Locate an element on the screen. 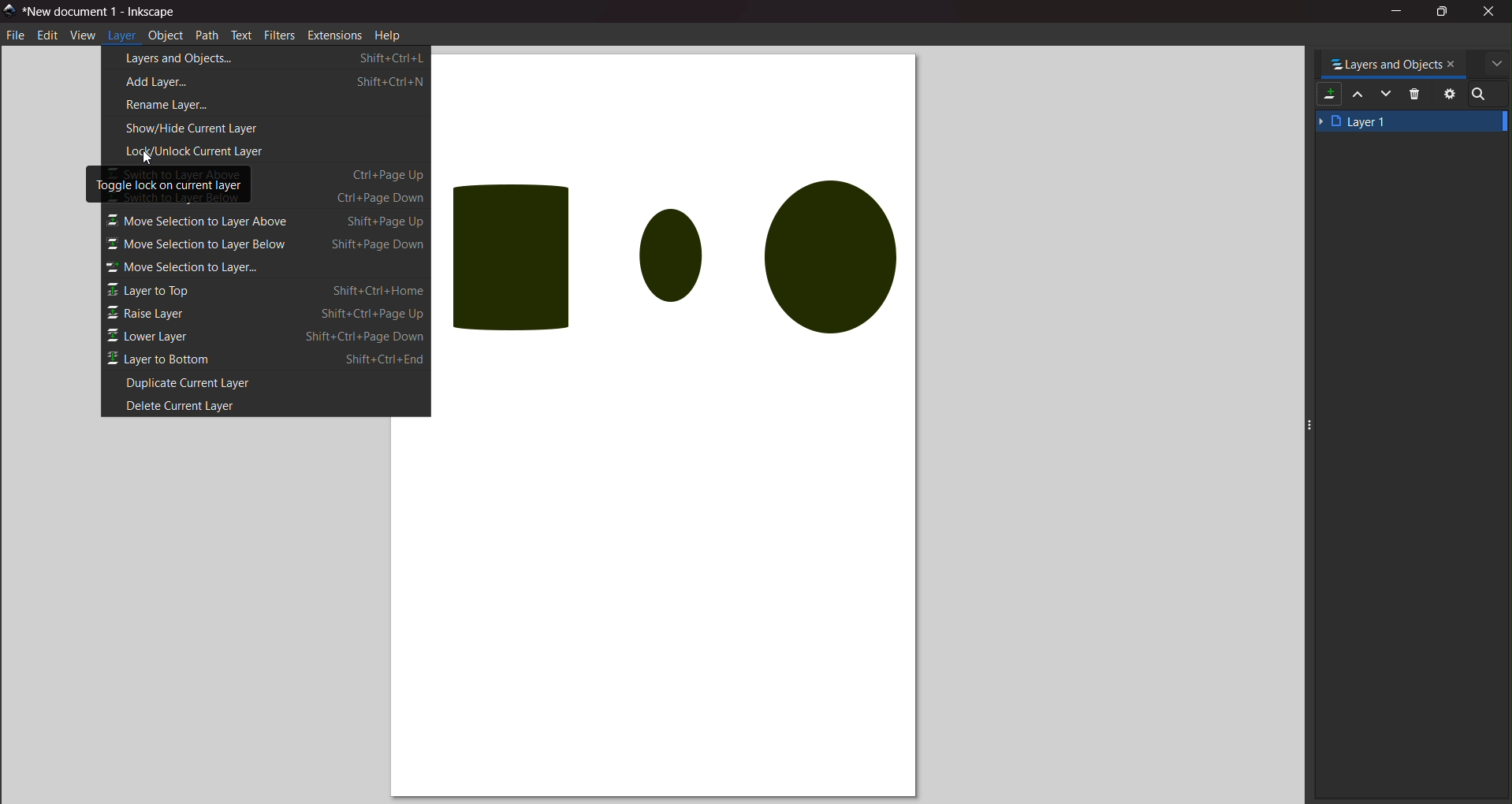  extension is located at coordinates (335, 35).